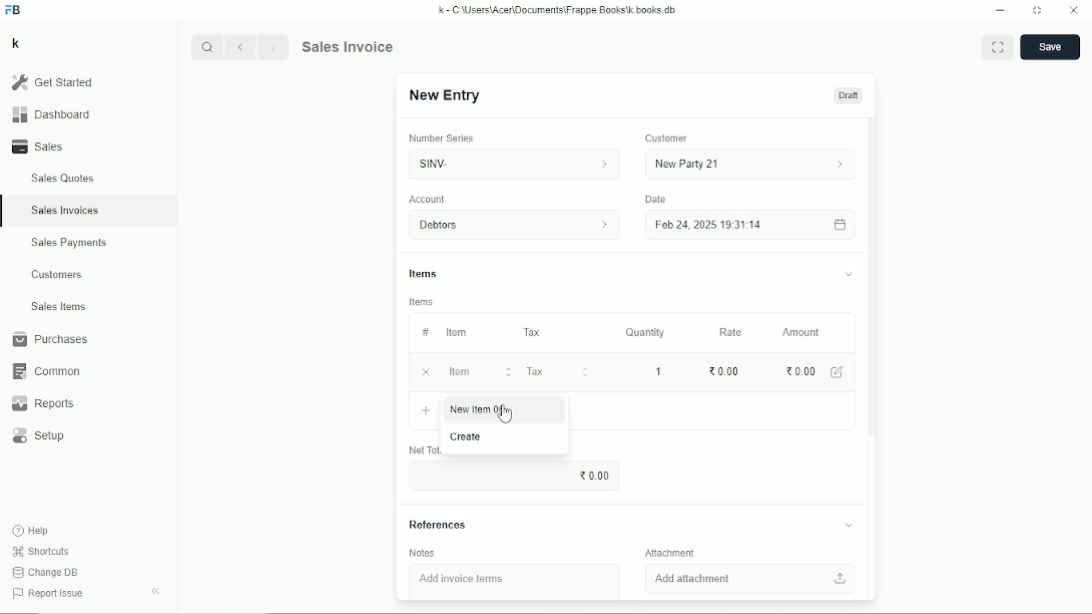  Describe the element at coordinates (534, 332) in the screenshot. I see `Tax` at that location.